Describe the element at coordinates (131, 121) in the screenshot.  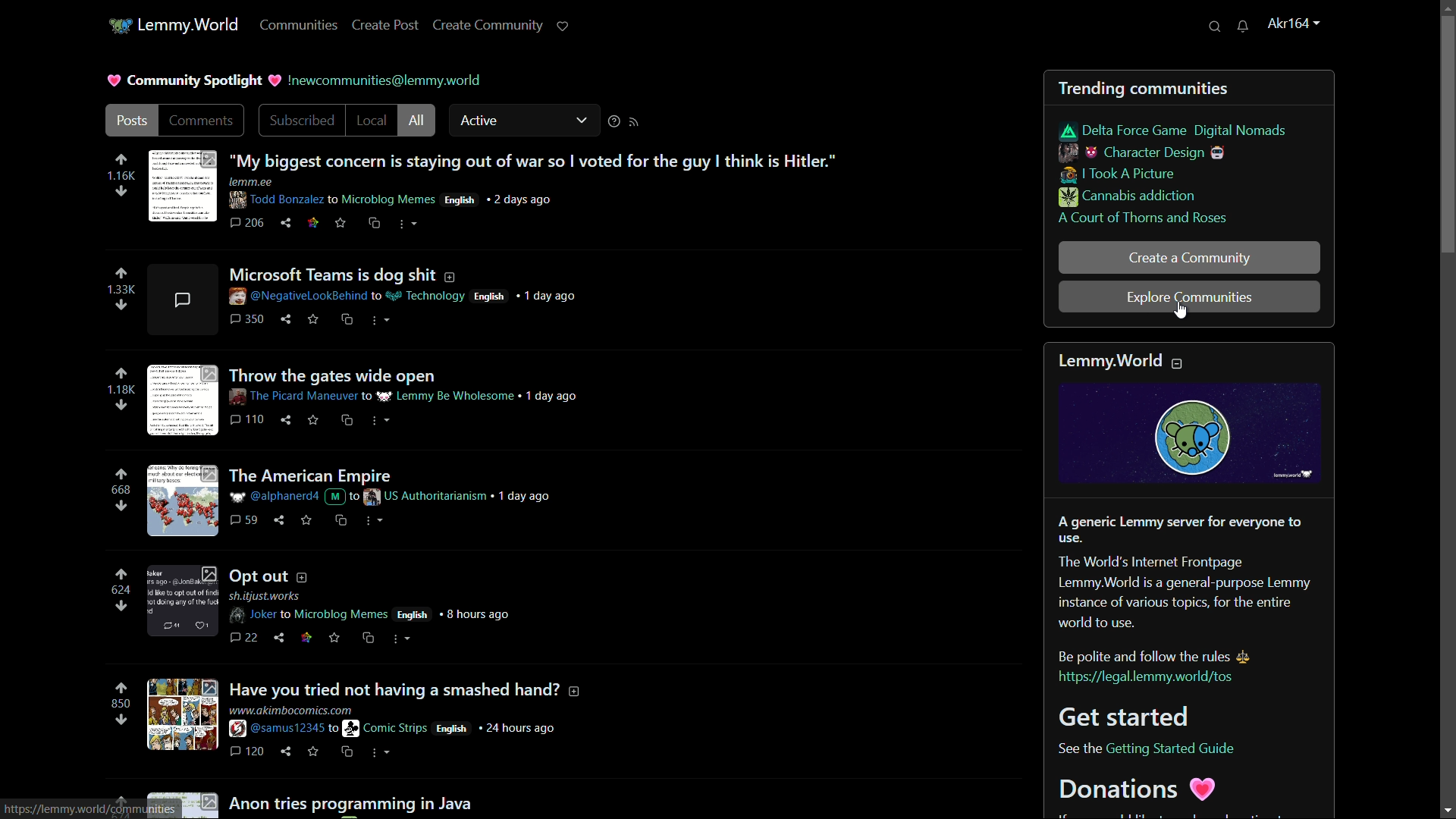
I see `posts` at that location.